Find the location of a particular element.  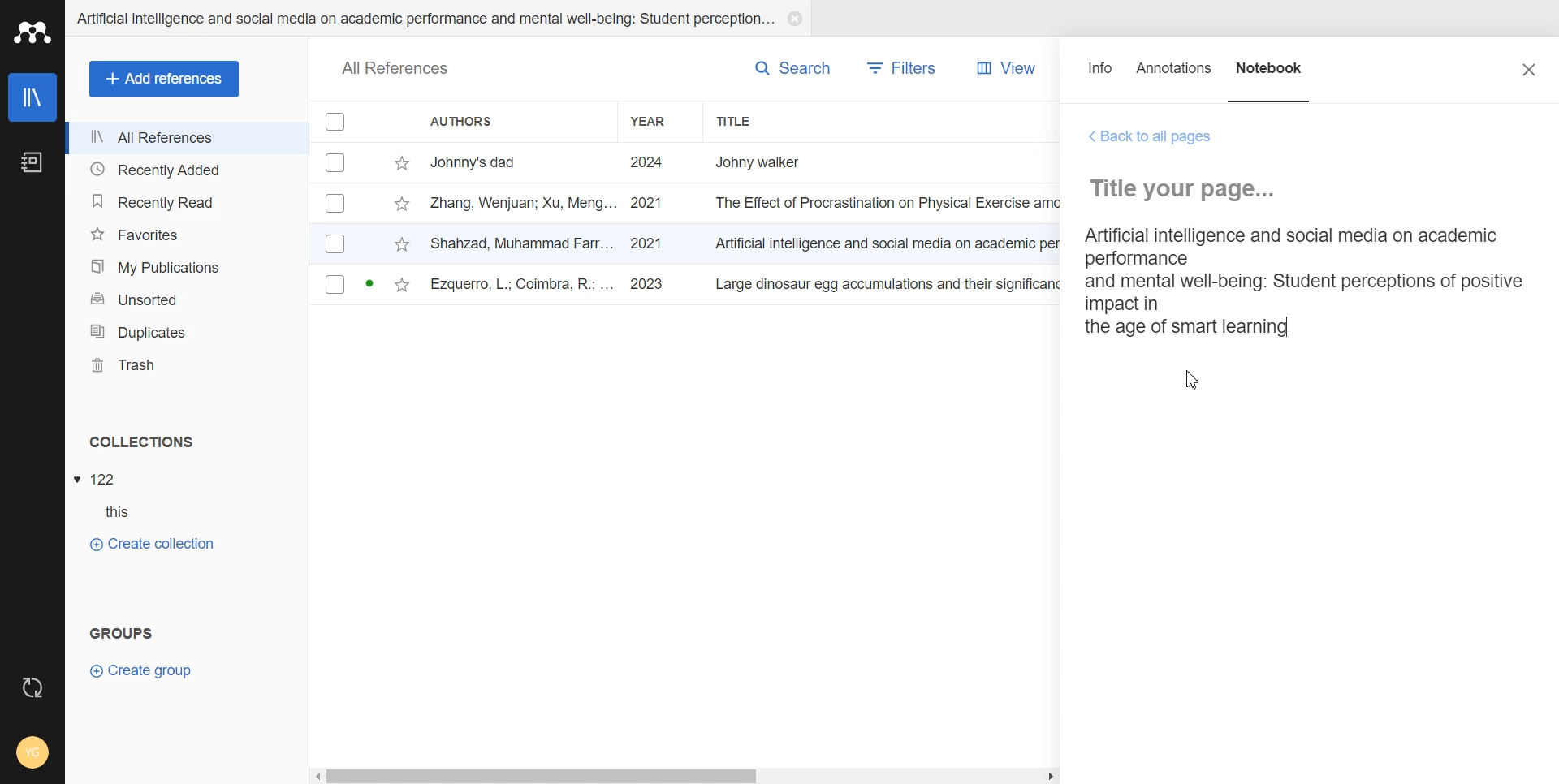

Collections is located at coordinates (188, 442).